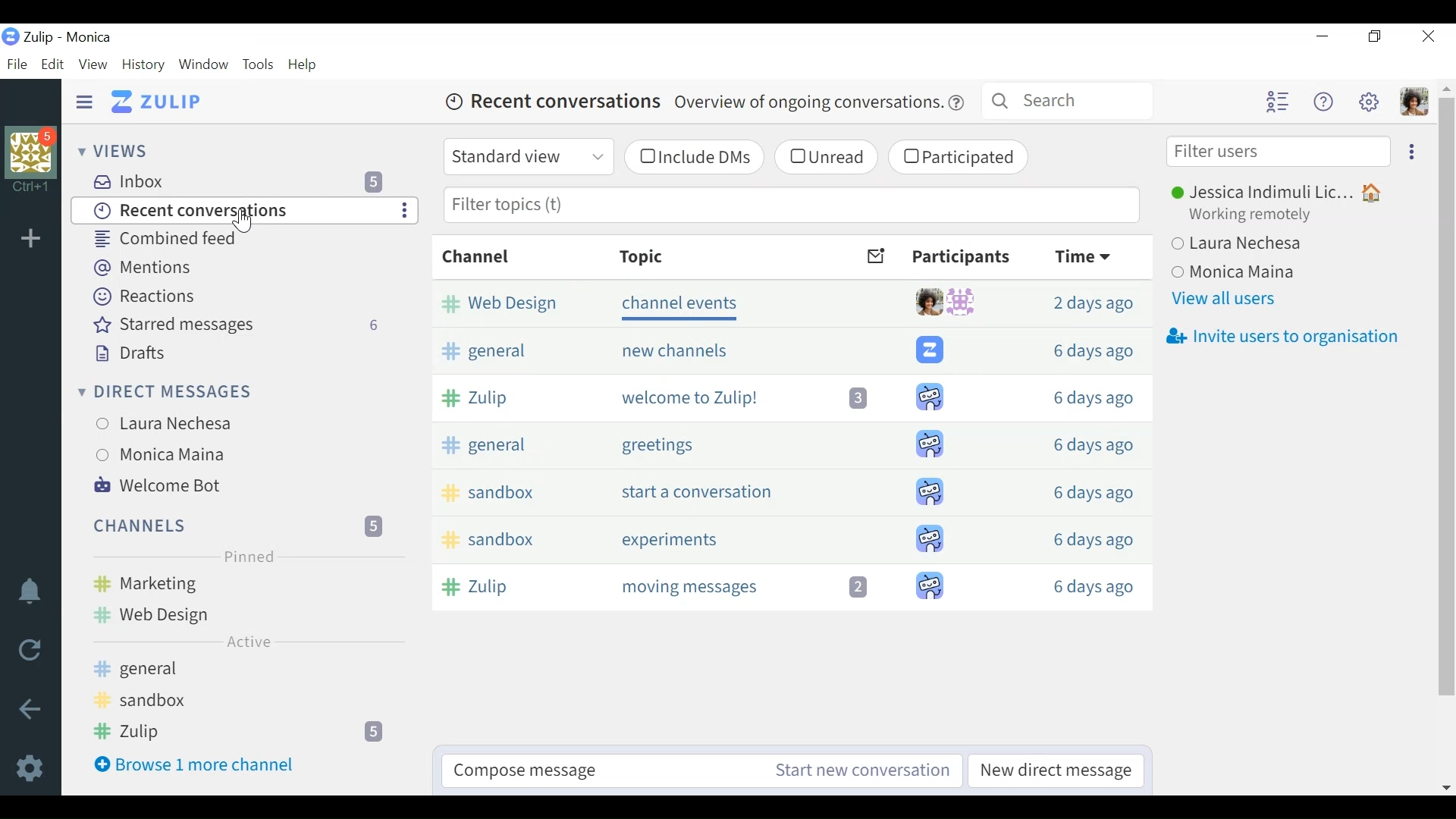 This screenshot has height=819, width=1456. I want to click on Personal menu, so click(1416, 103).